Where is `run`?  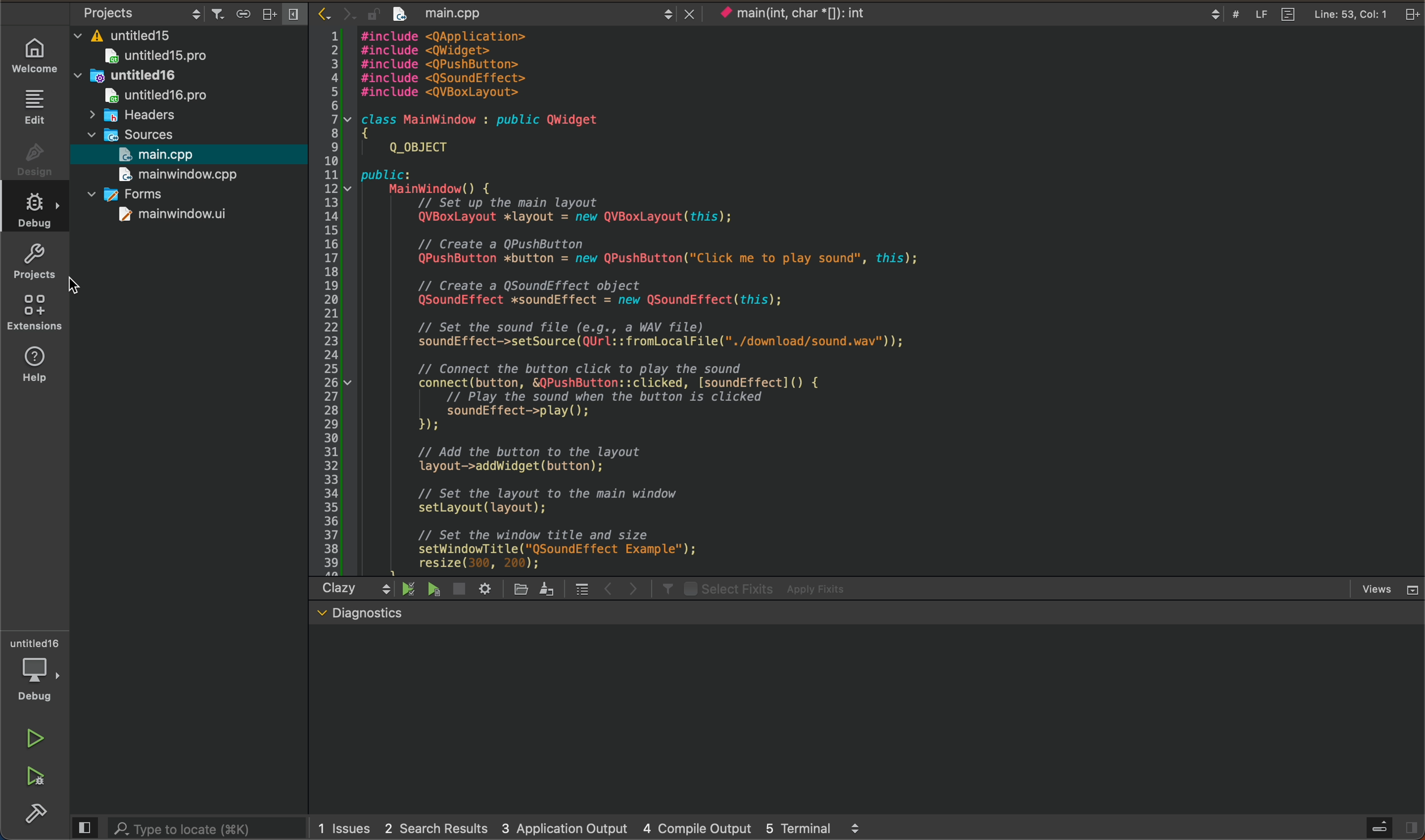
run is located at coordinates (36, 737).